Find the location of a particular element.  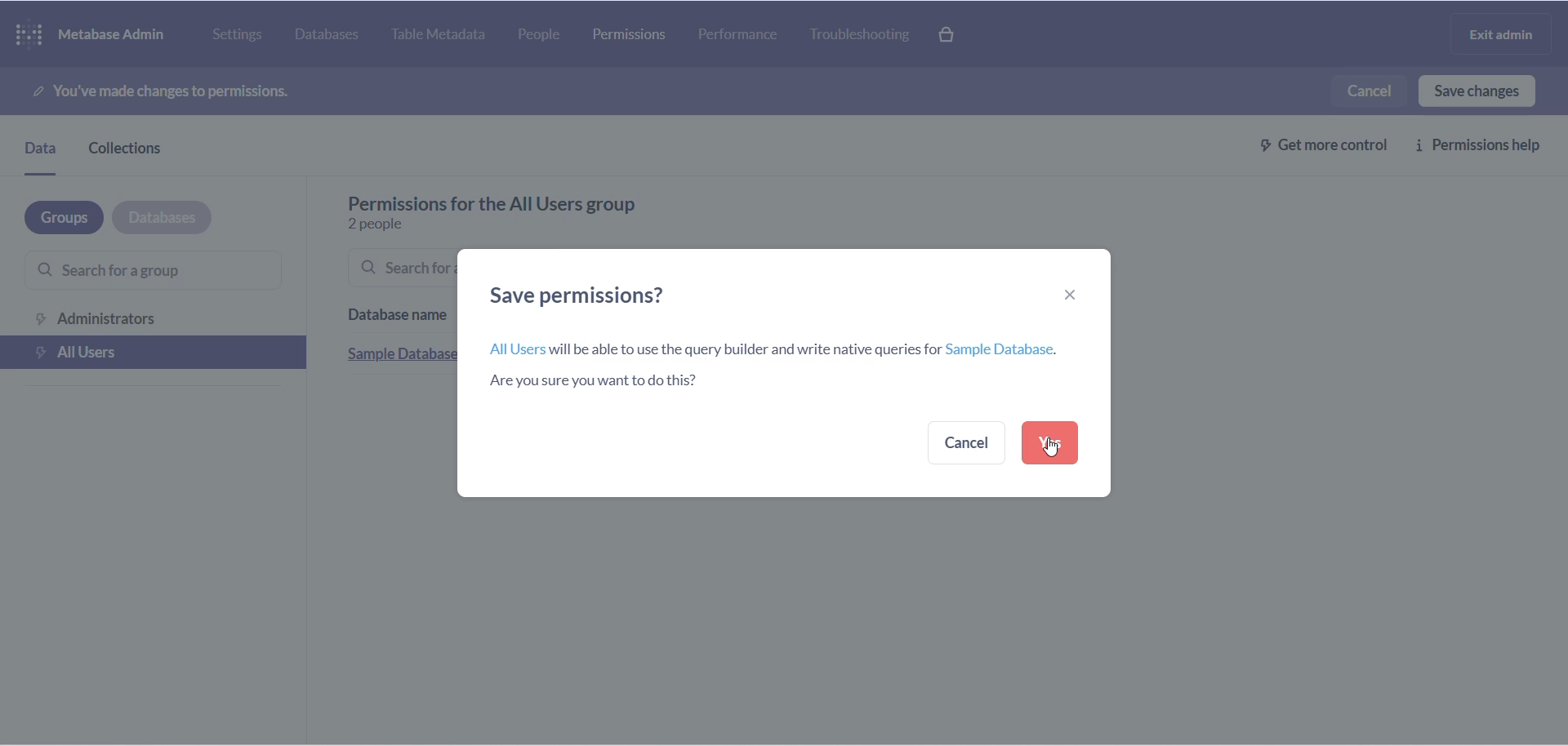

yes is located at coordinates (1049, 443).